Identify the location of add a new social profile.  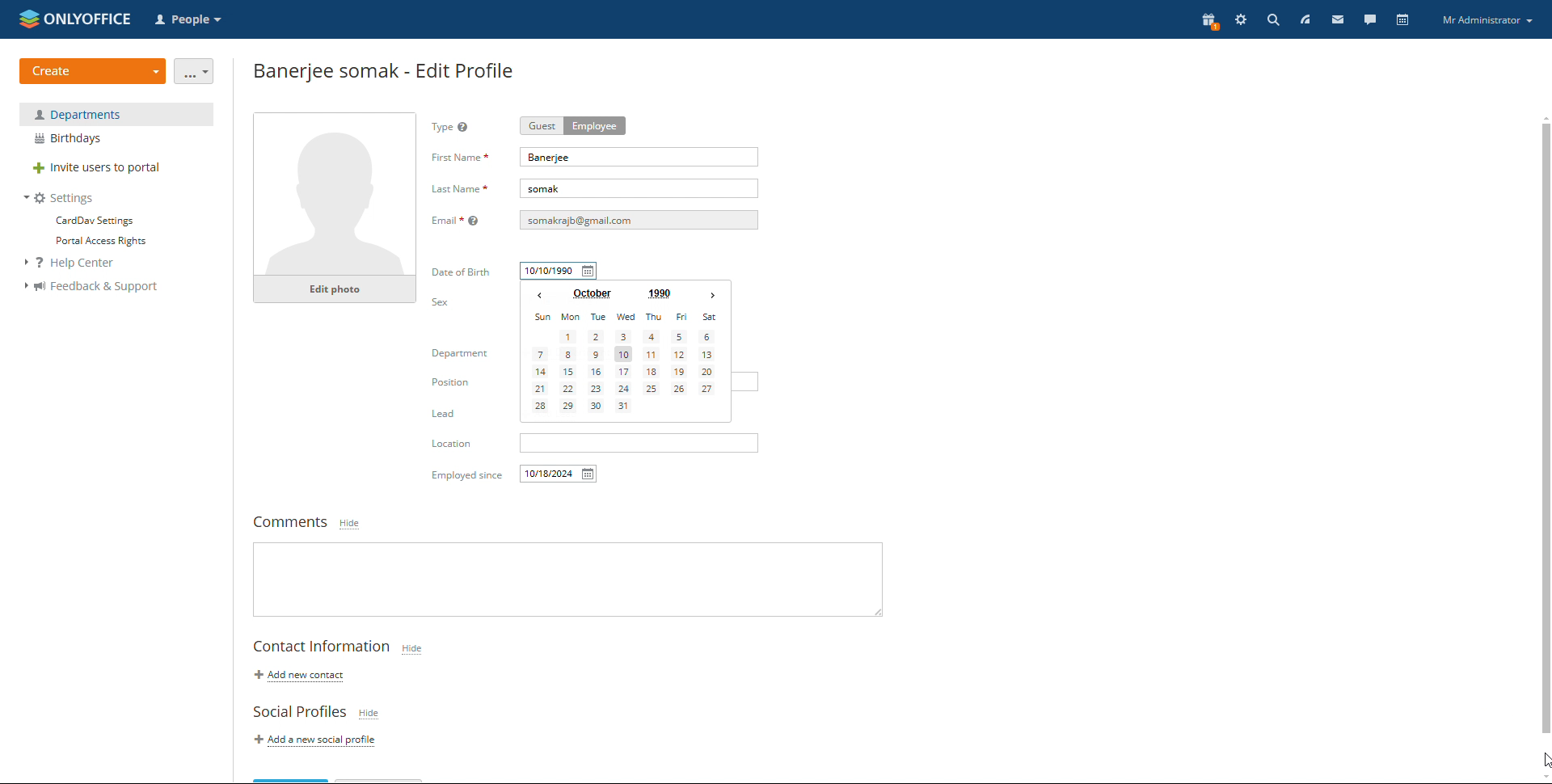
(318, 741).